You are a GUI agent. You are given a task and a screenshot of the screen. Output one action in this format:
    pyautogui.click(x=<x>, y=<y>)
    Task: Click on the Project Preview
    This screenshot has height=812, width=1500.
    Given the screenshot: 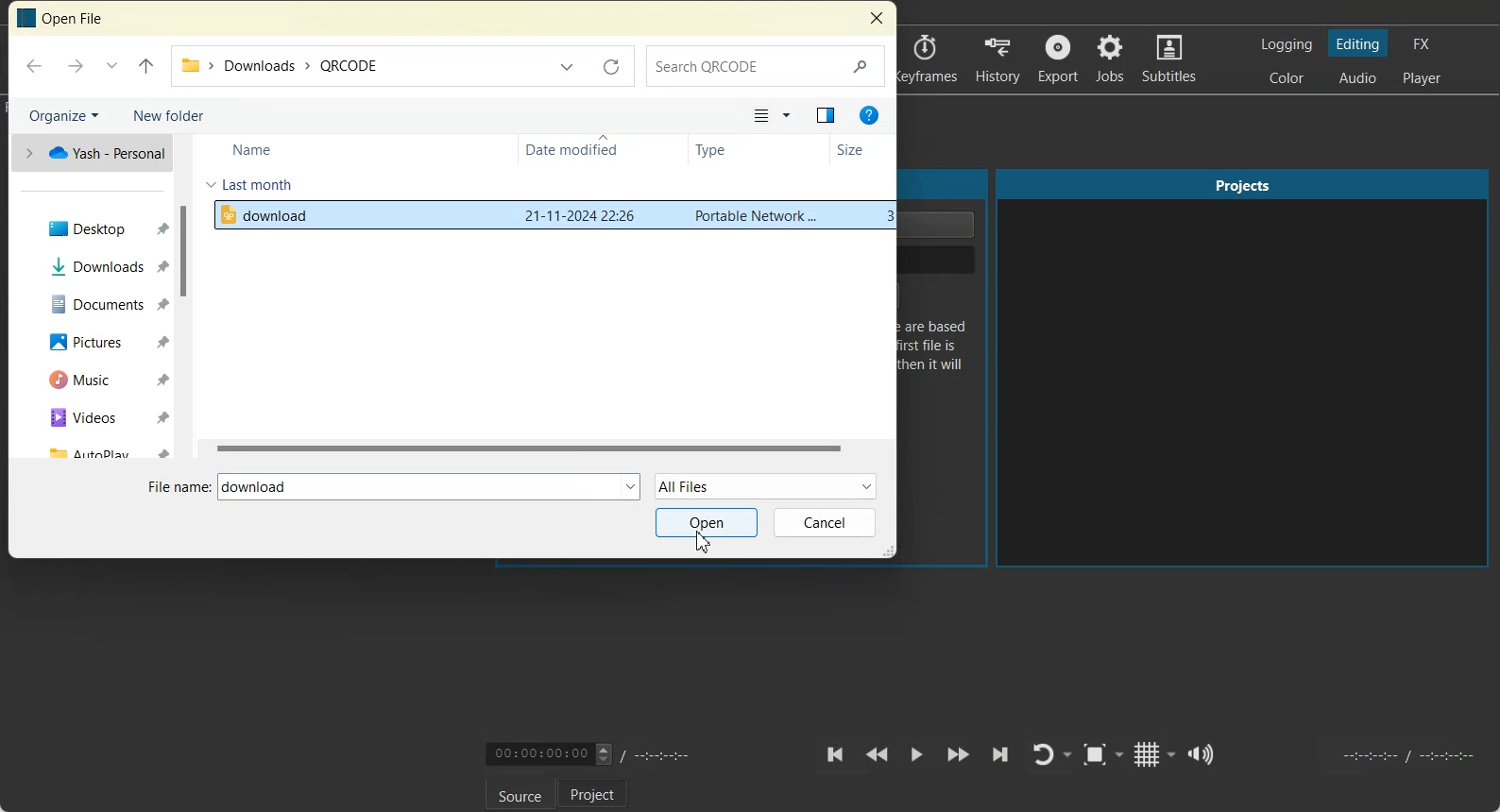 What is the action you would take?
    pyautogui.click(x=1244, y=369)
    